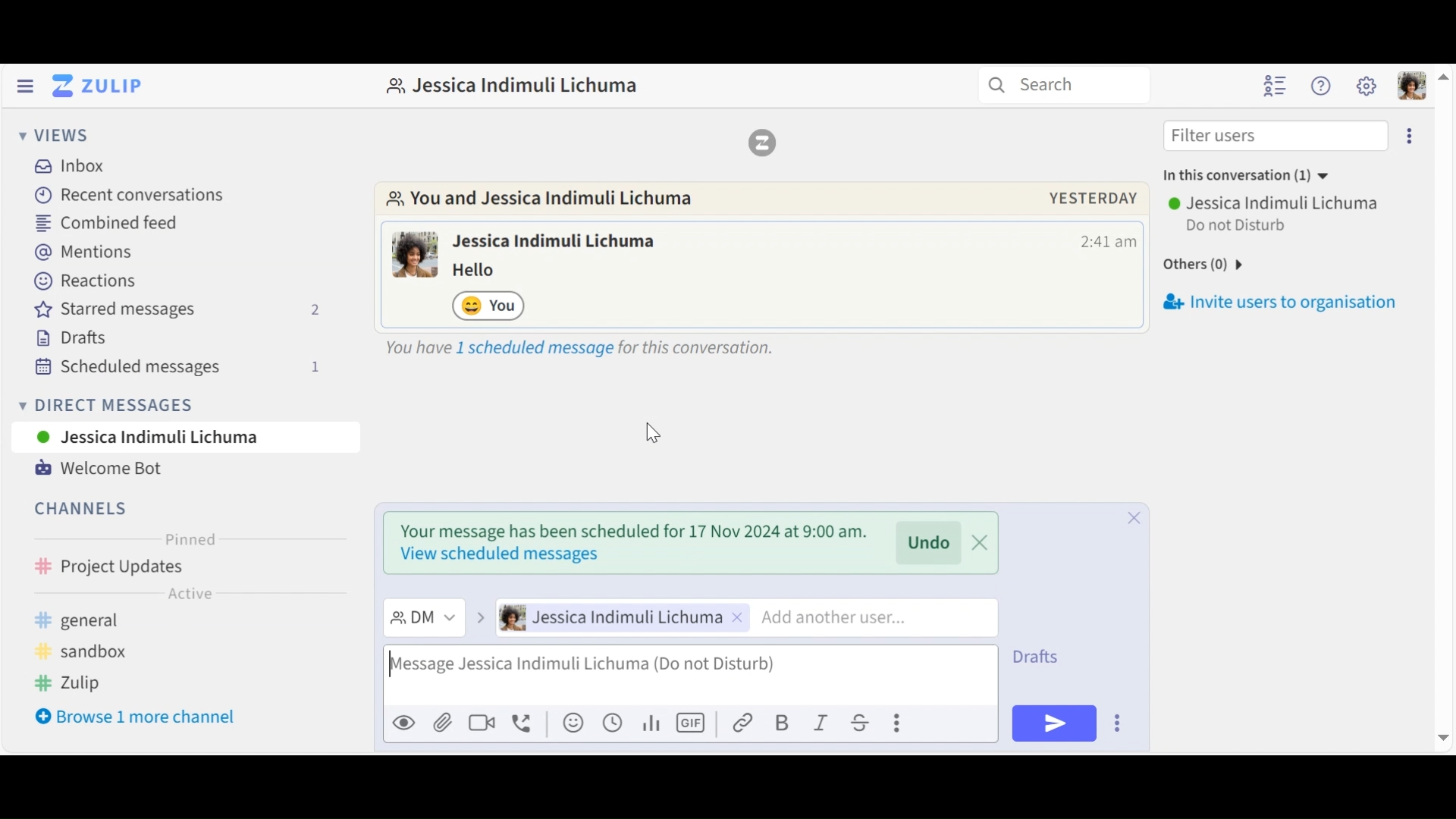 This screenshot has width=1456, height=819. I want to click on Add polls, so click(650, 723).